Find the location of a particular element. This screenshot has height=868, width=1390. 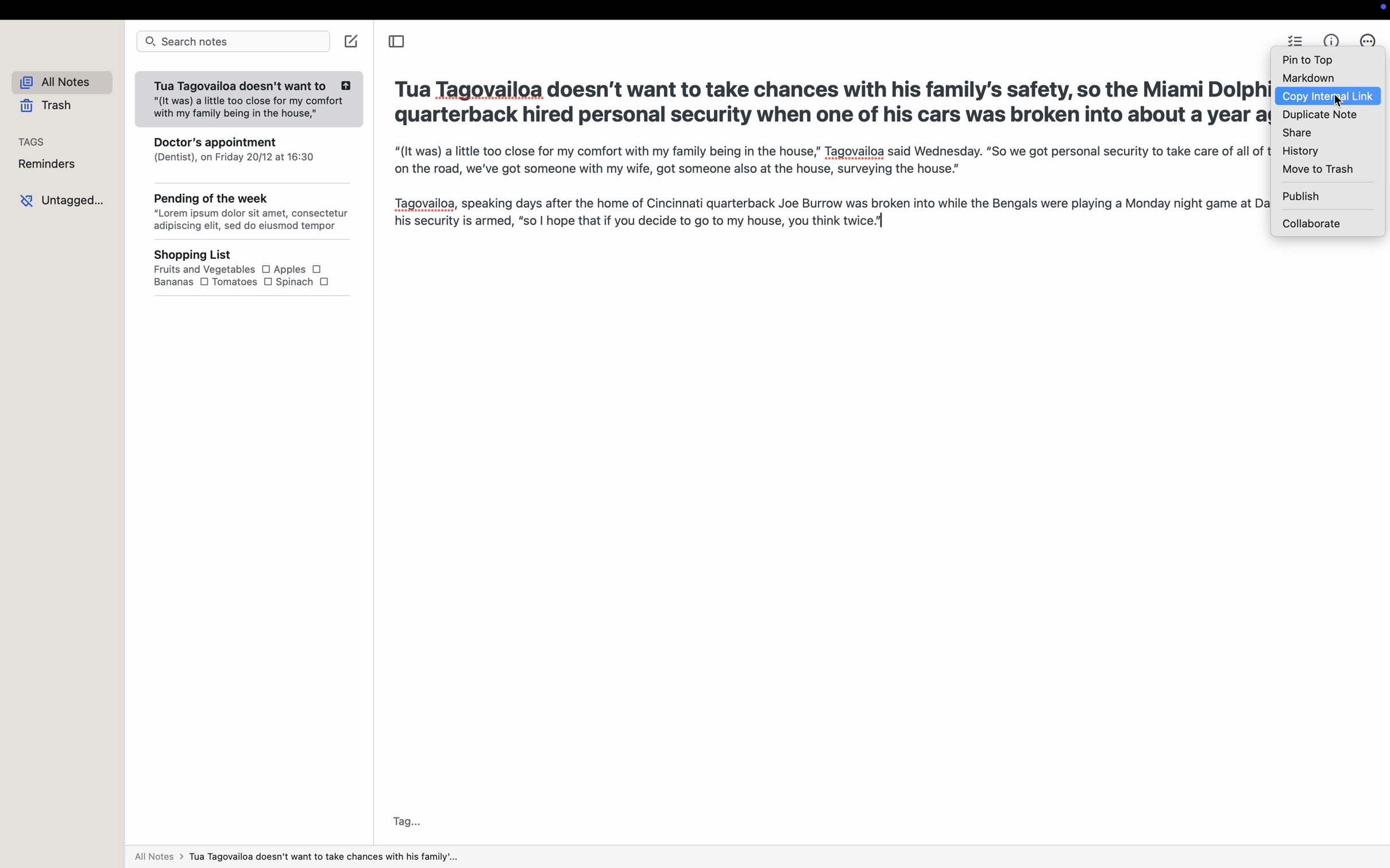

markdown is located at coordinates (1309, 78).